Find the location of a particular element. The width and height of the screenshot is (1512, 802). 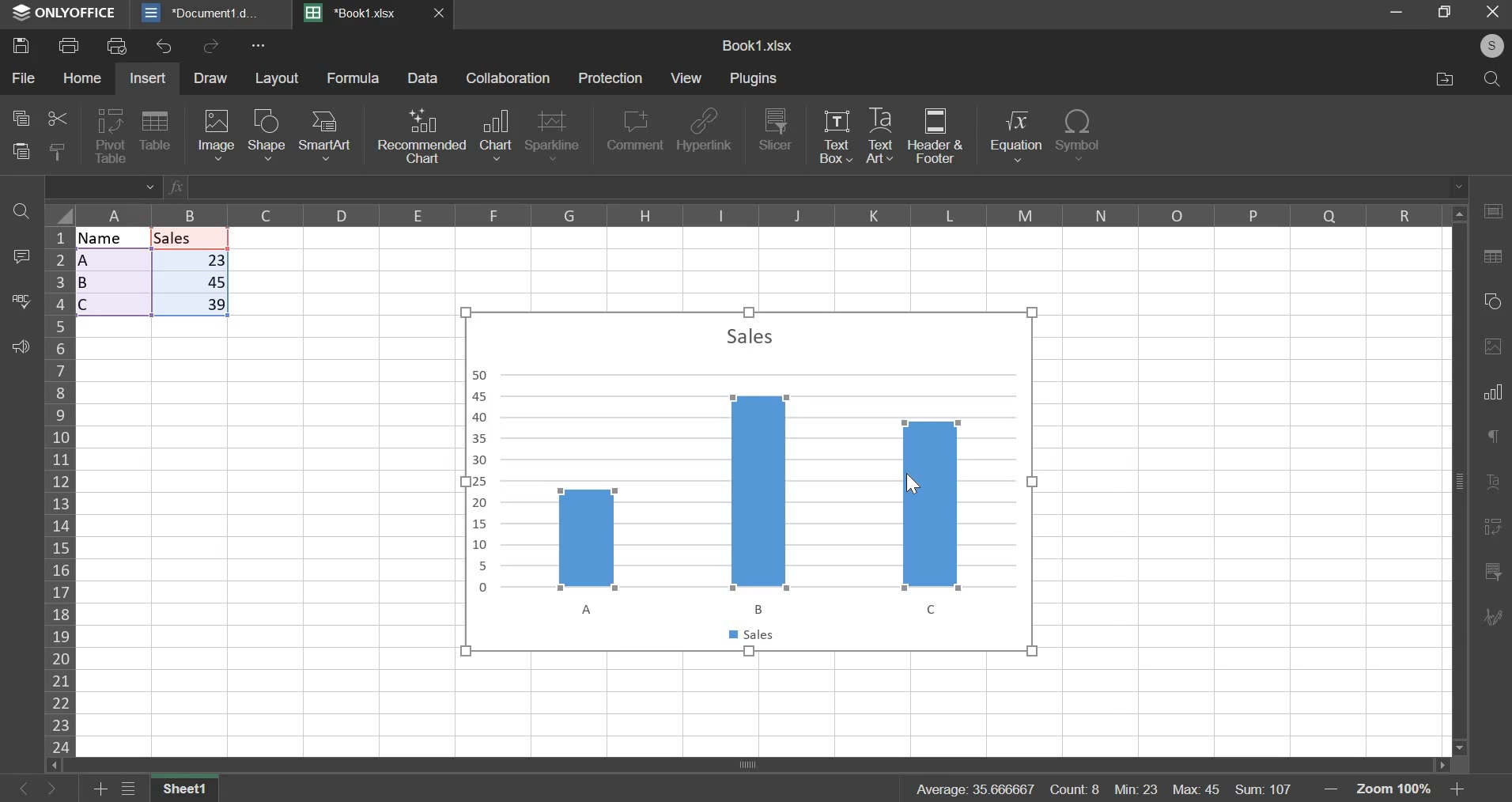

file is located at coordinates (24, 78).